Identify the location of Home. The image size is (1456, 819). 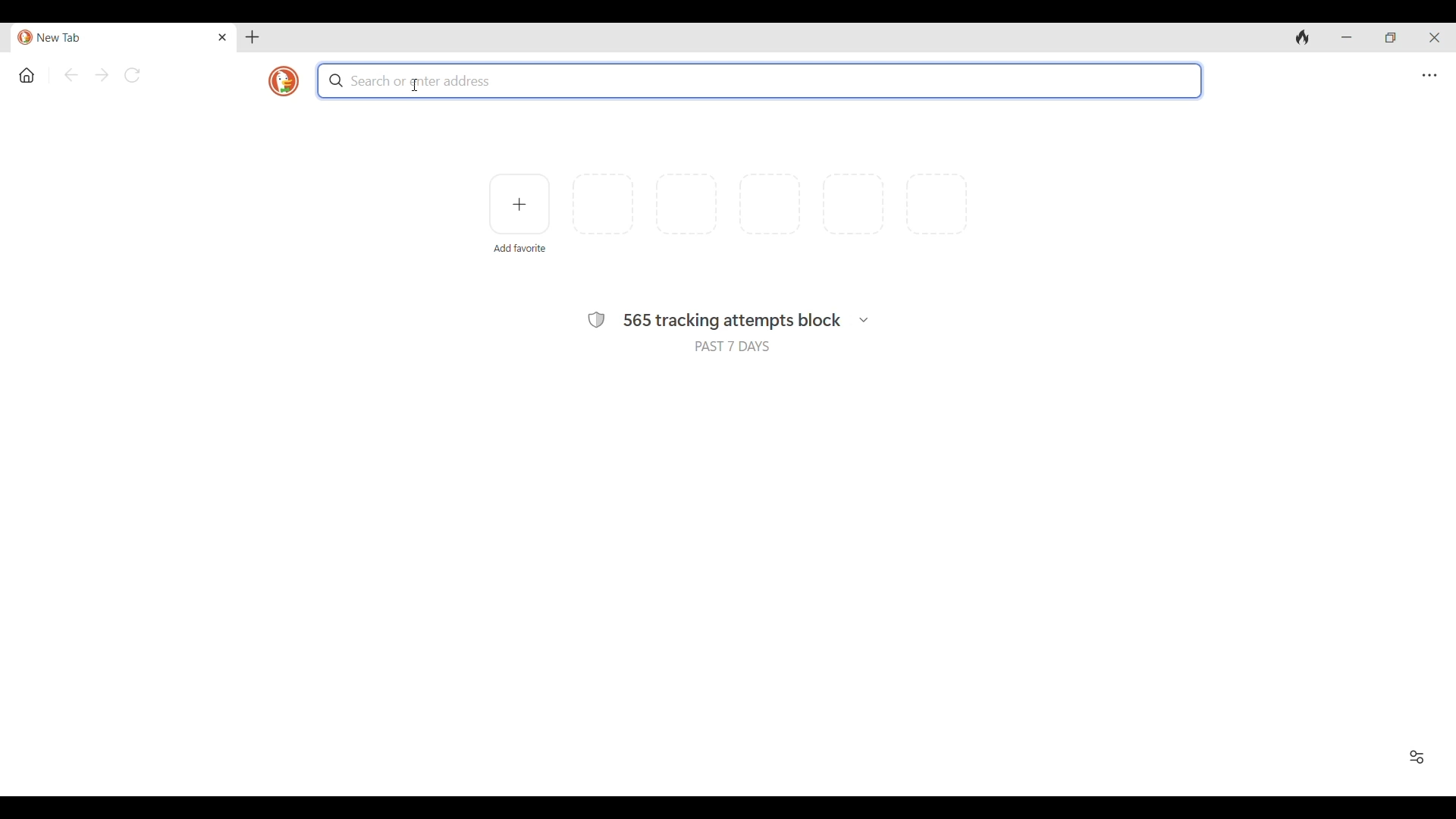
(27, 76).